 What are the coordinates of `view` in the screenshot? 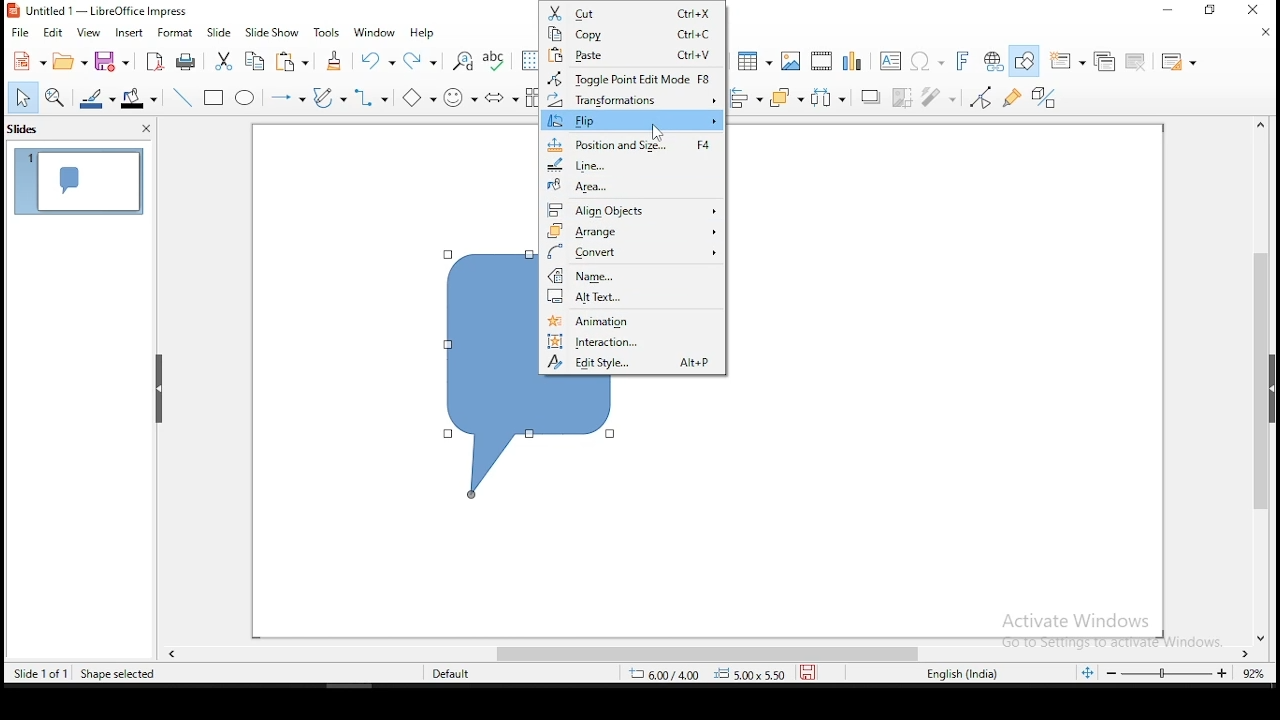 It's located at (91, 33).